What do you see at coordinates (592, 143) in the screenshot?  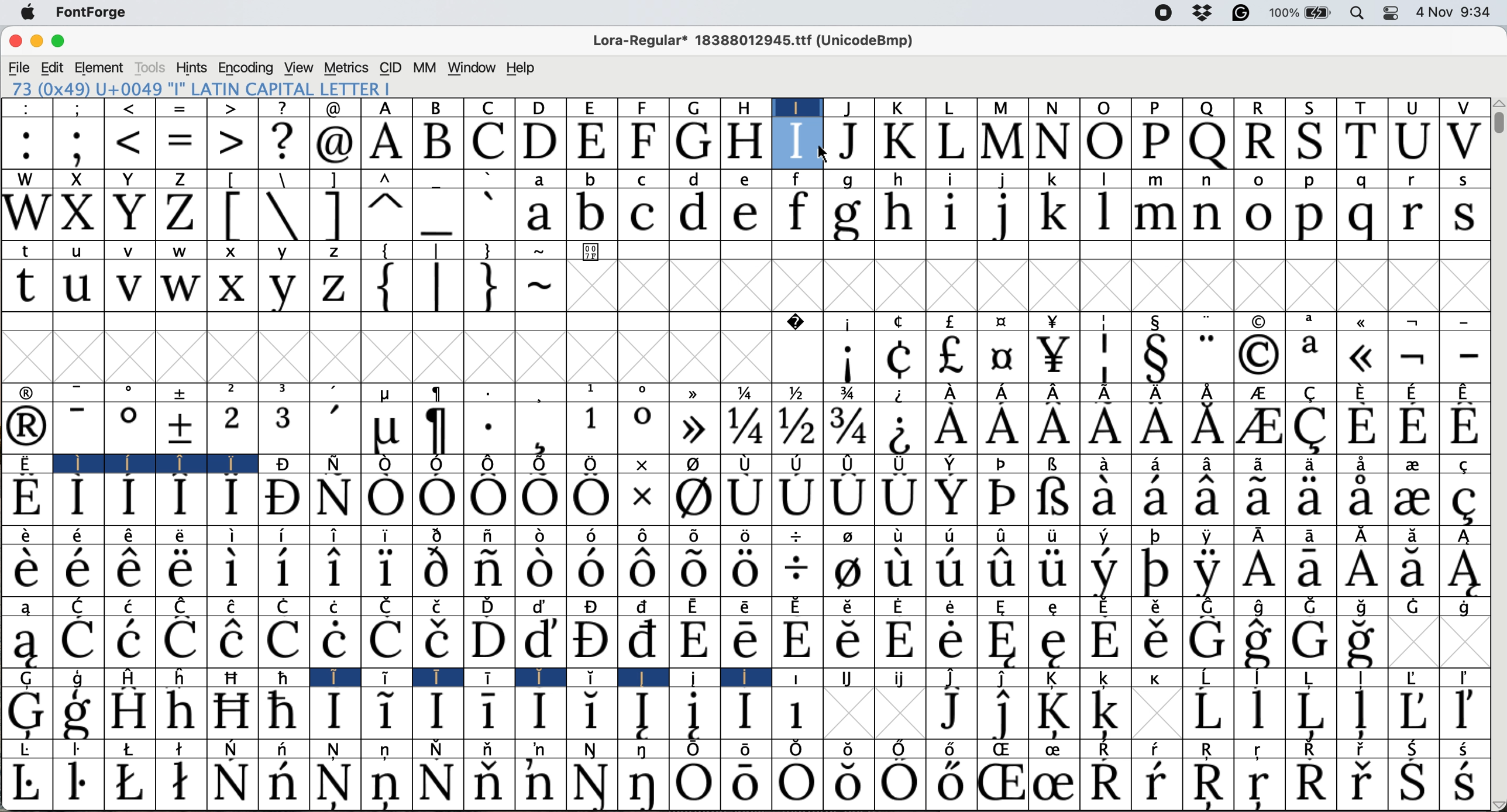 I see `E` at bounding box center [592, 143].